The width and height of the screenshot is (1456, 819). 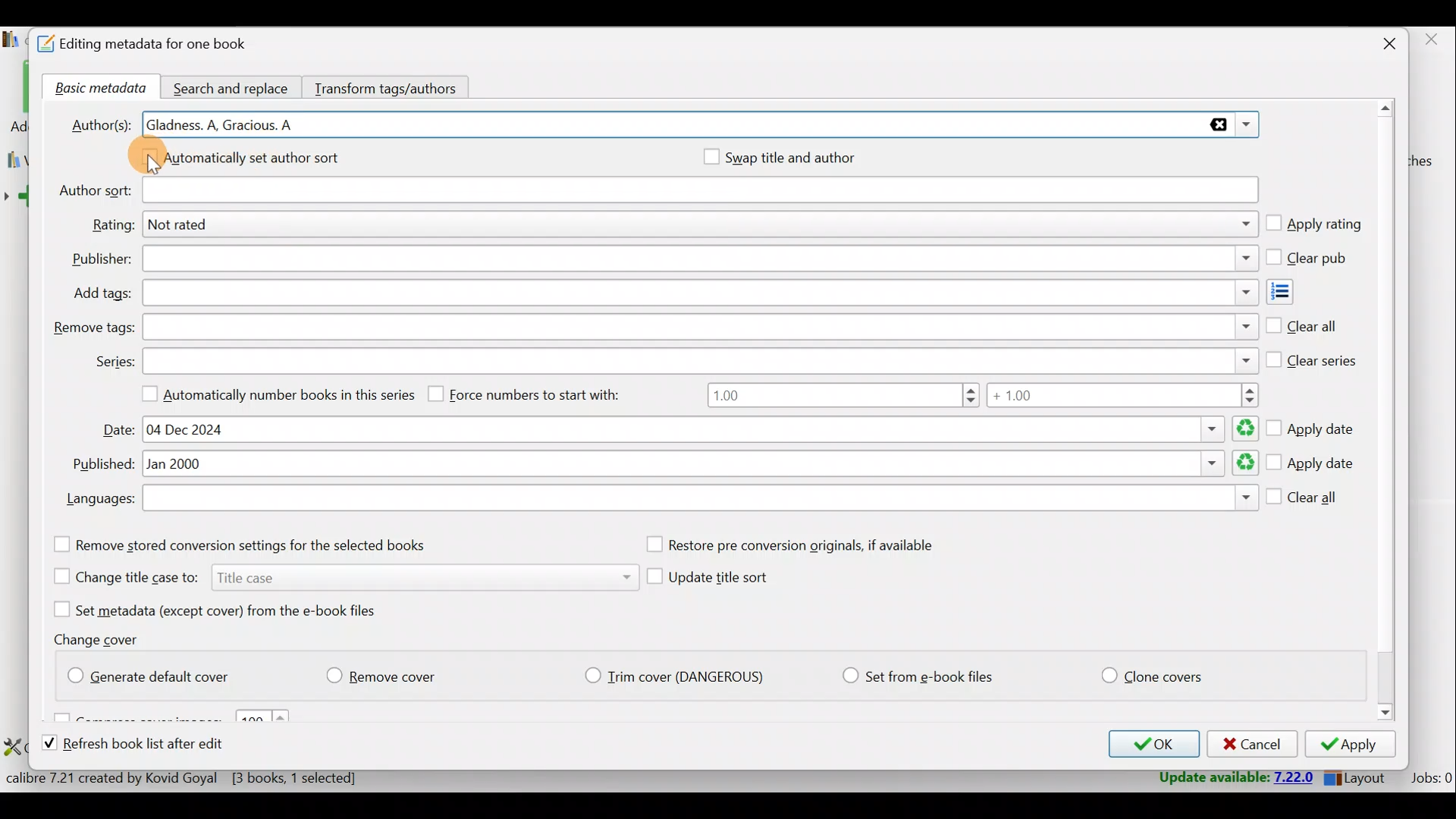 What do you see at coordinates (535, 394) in the screenshot?
I see `Force numbers to start with` at bounding box center [535, 394].